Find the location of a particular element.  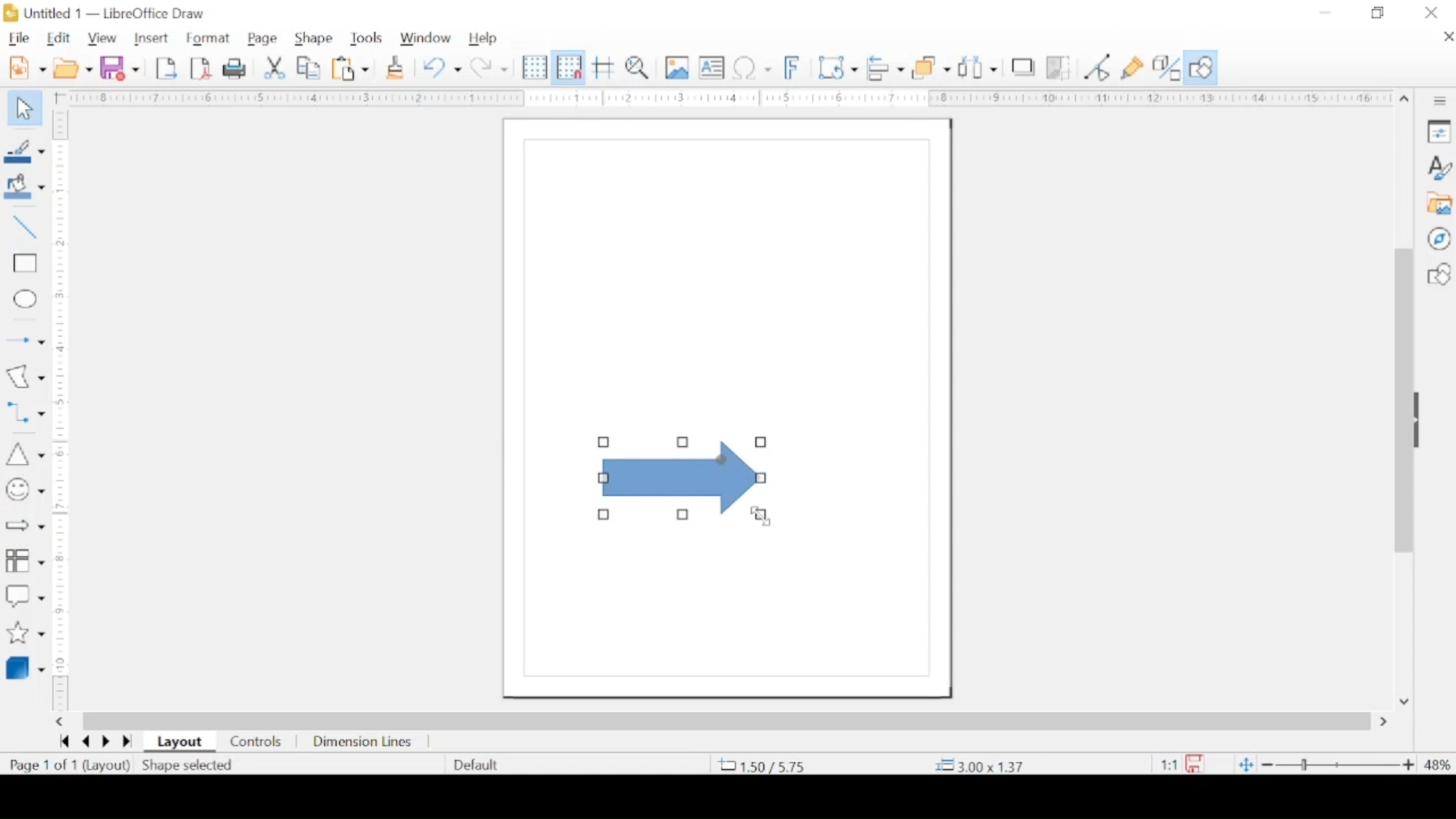

resize handle is located at coordinates (761, 479).